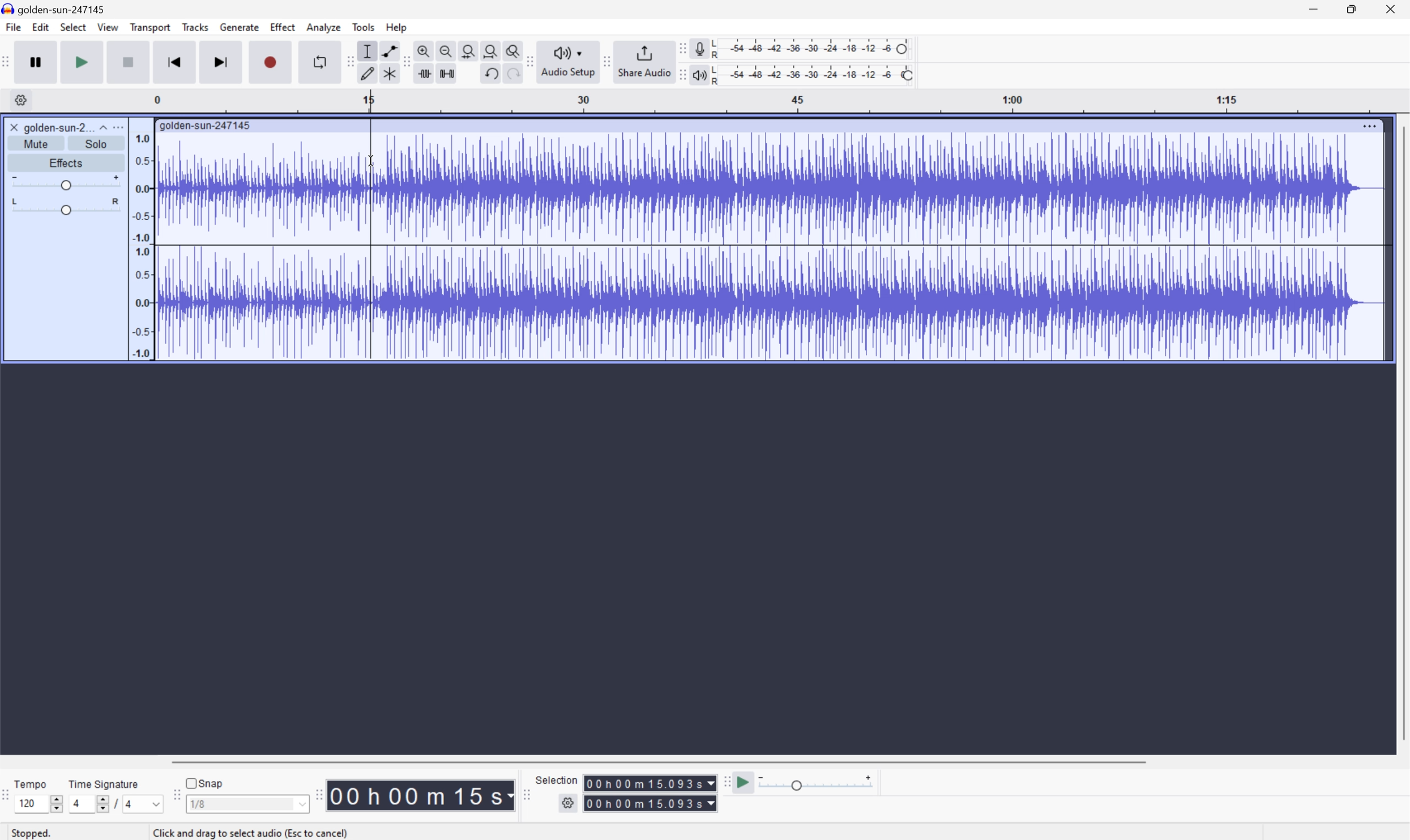 The width and height of the screenshot is (1410, 840). I want to click on Zoom out, so click(445, 49).